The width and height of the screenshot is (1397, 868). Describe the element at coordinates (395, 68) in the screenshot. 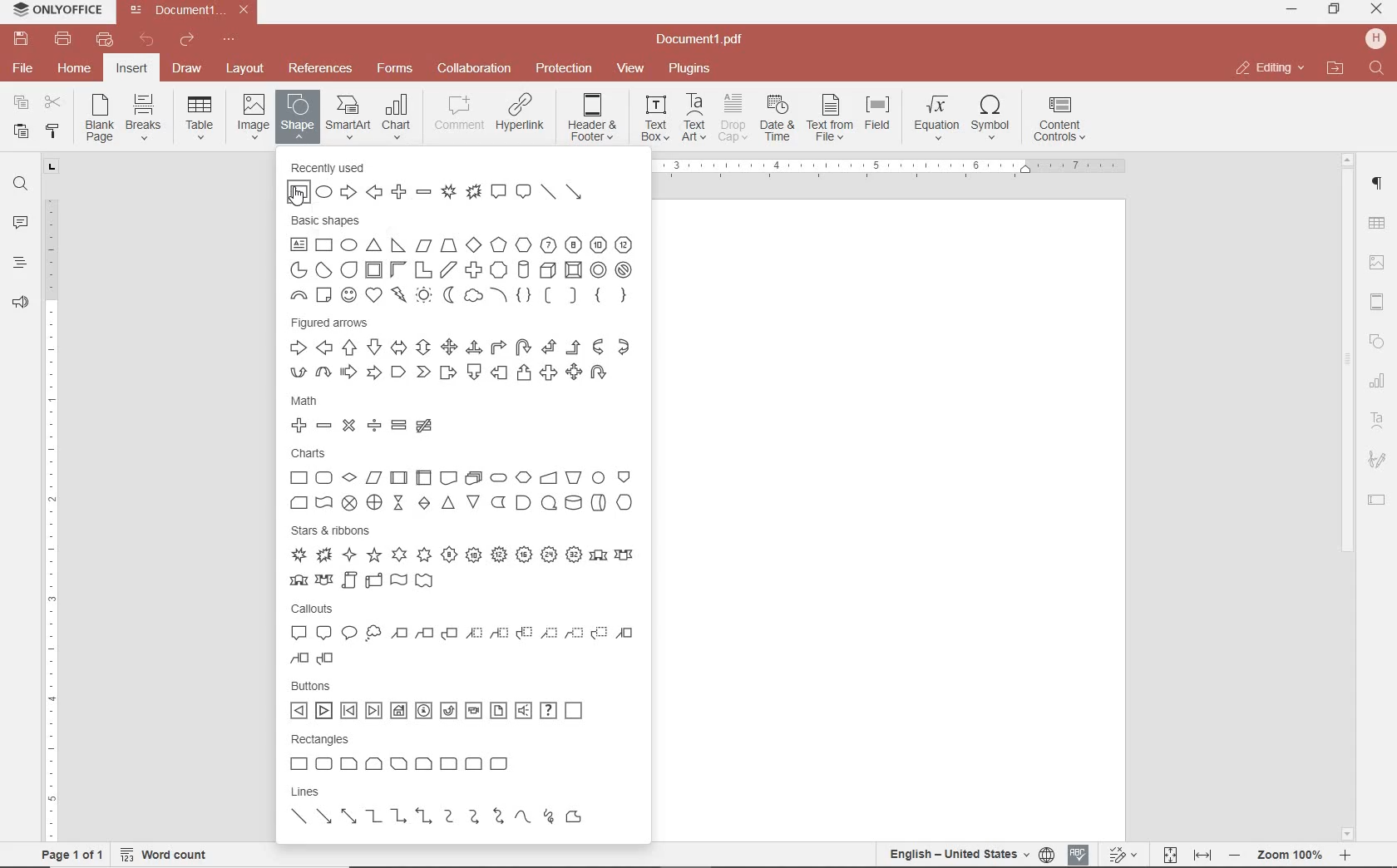

I see `forms` at that location.